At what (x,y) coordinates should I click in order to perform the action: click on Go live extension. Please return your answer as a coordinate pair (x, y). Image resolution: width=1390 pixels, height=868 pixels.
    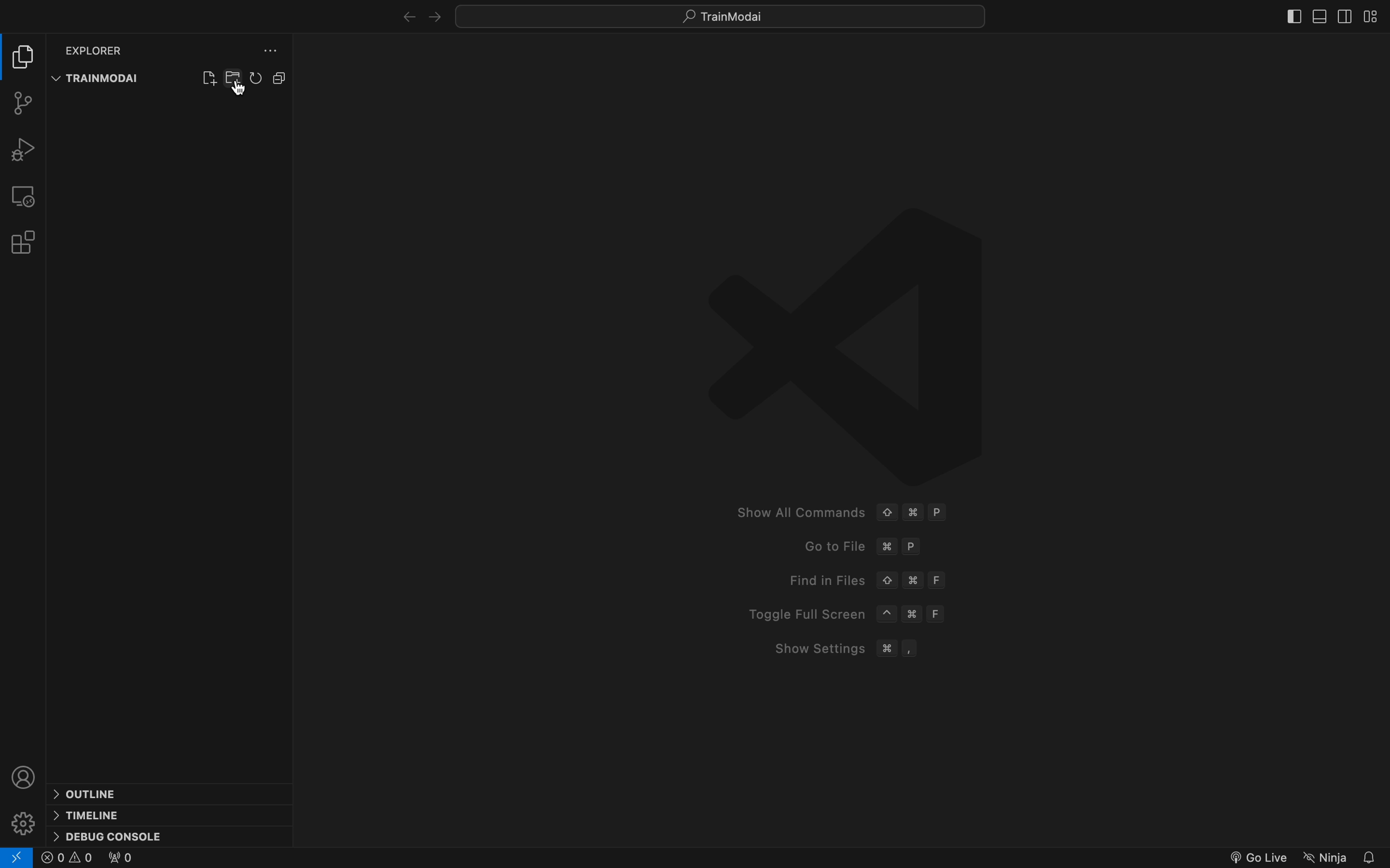
    Looking at the image, I should click on (1256, 857).